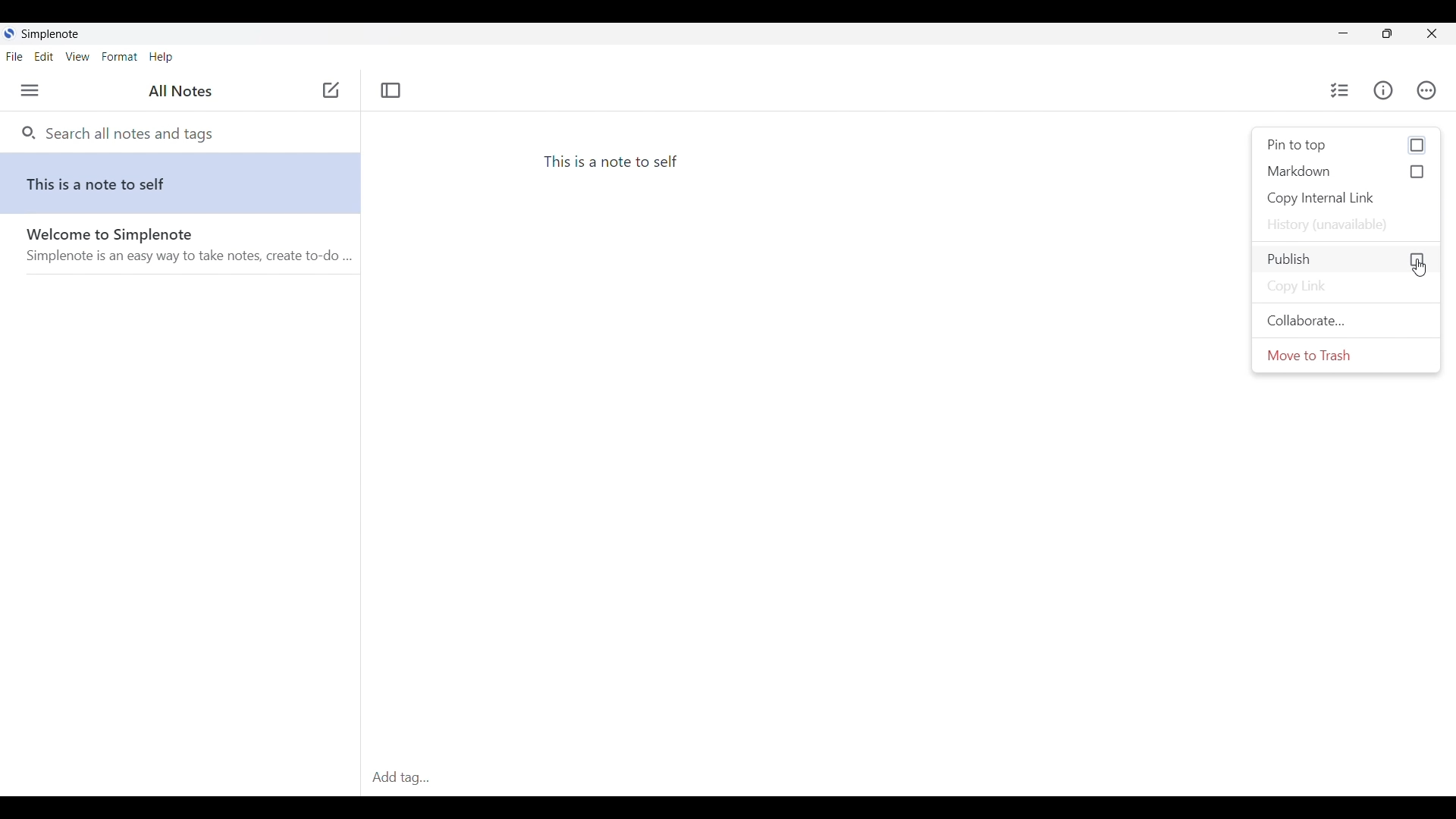 This screenshot has height=819, width=1456. Describe the element at coordinates (1345, 355) in the screenshot. I see `Move to trash` at that location.